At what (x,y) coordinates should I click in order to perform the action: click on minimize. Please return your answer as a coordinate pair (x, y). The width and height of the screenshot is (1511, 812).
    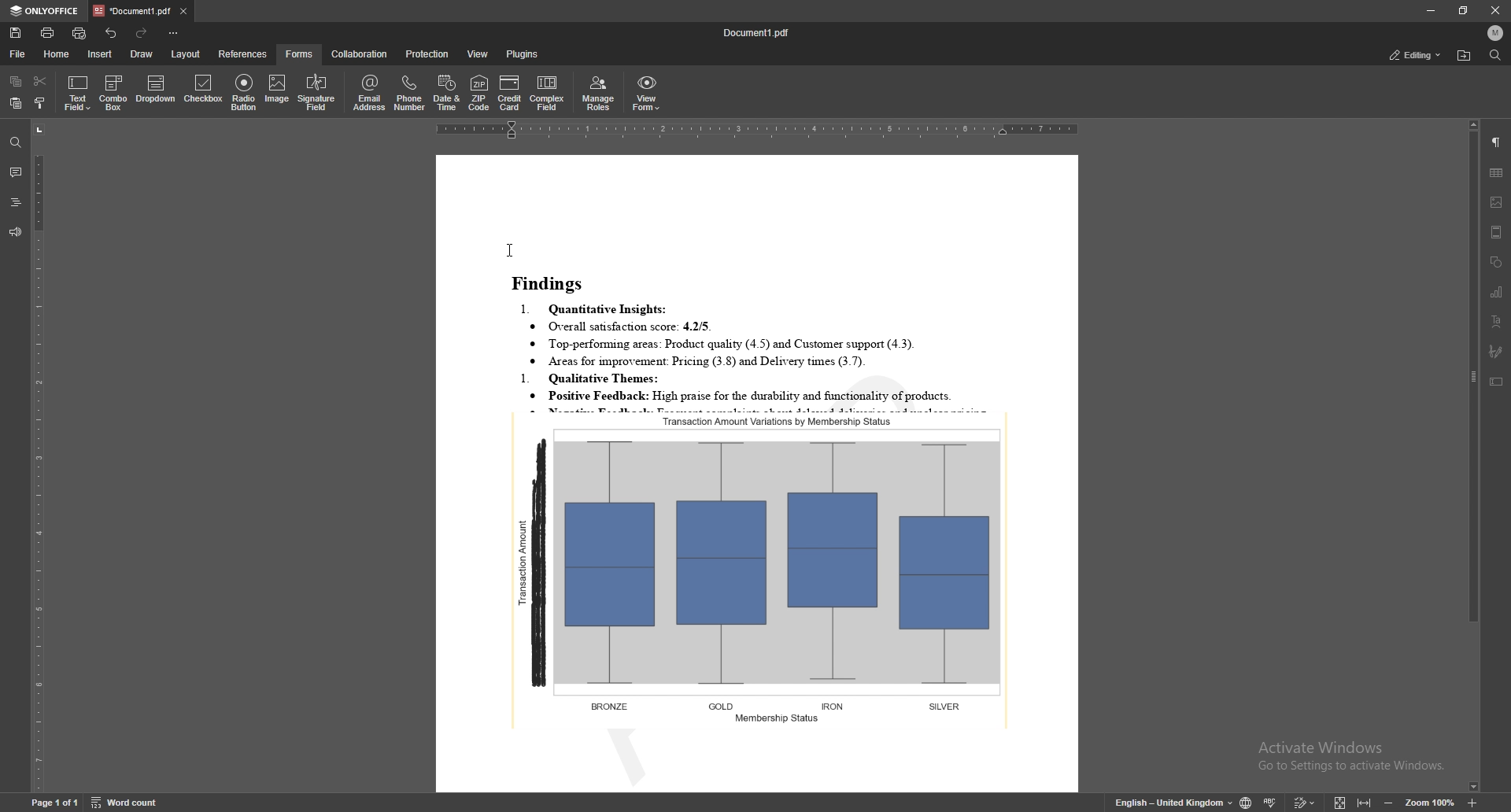
    Looking at the image, I should click on (1429, 10).